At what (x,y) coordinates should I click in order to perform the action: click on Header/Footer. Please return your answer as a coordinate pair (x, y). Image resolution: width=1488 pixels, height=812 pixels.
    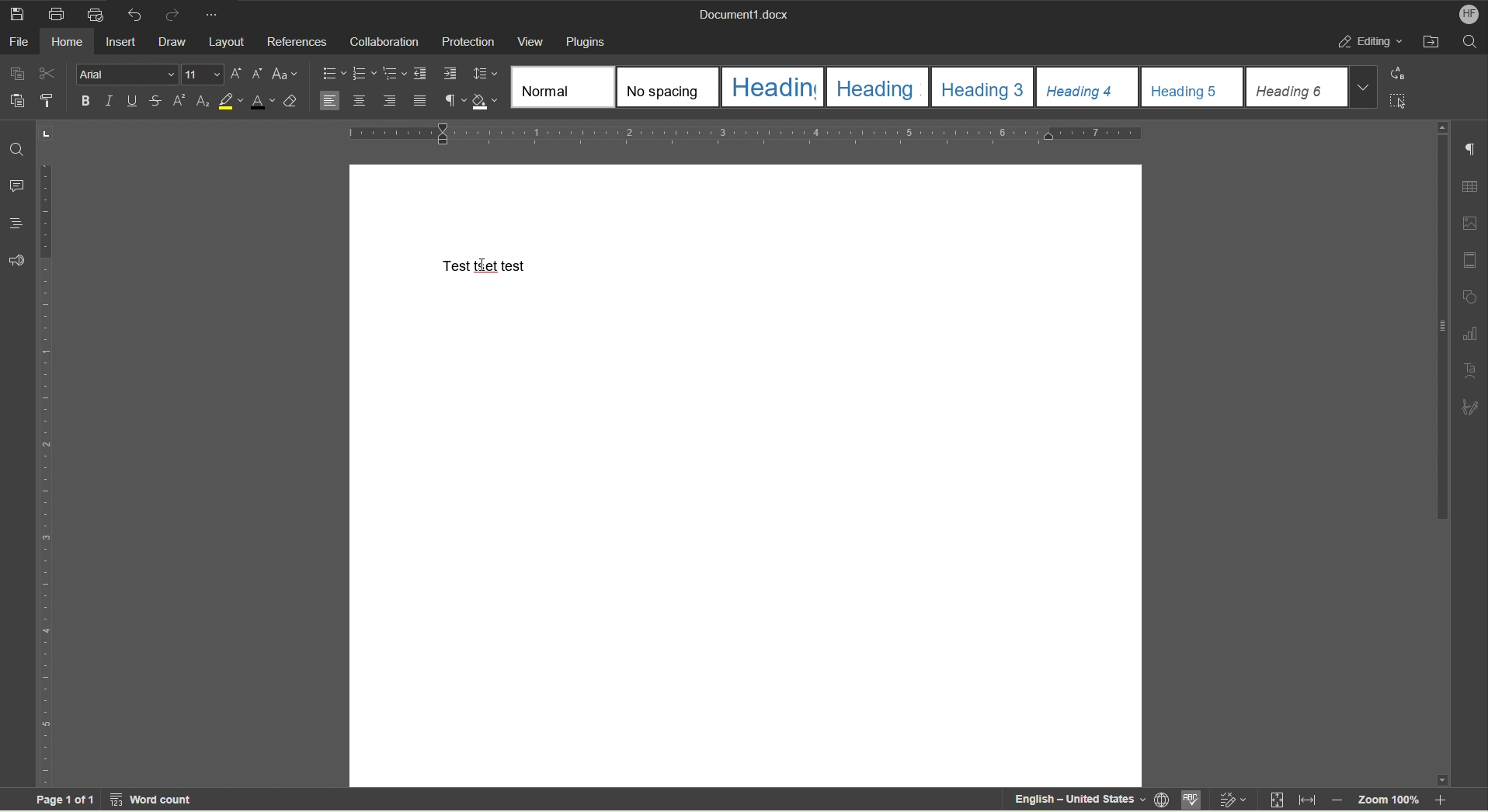
    Looking at the image, I should click on (1471, 260).